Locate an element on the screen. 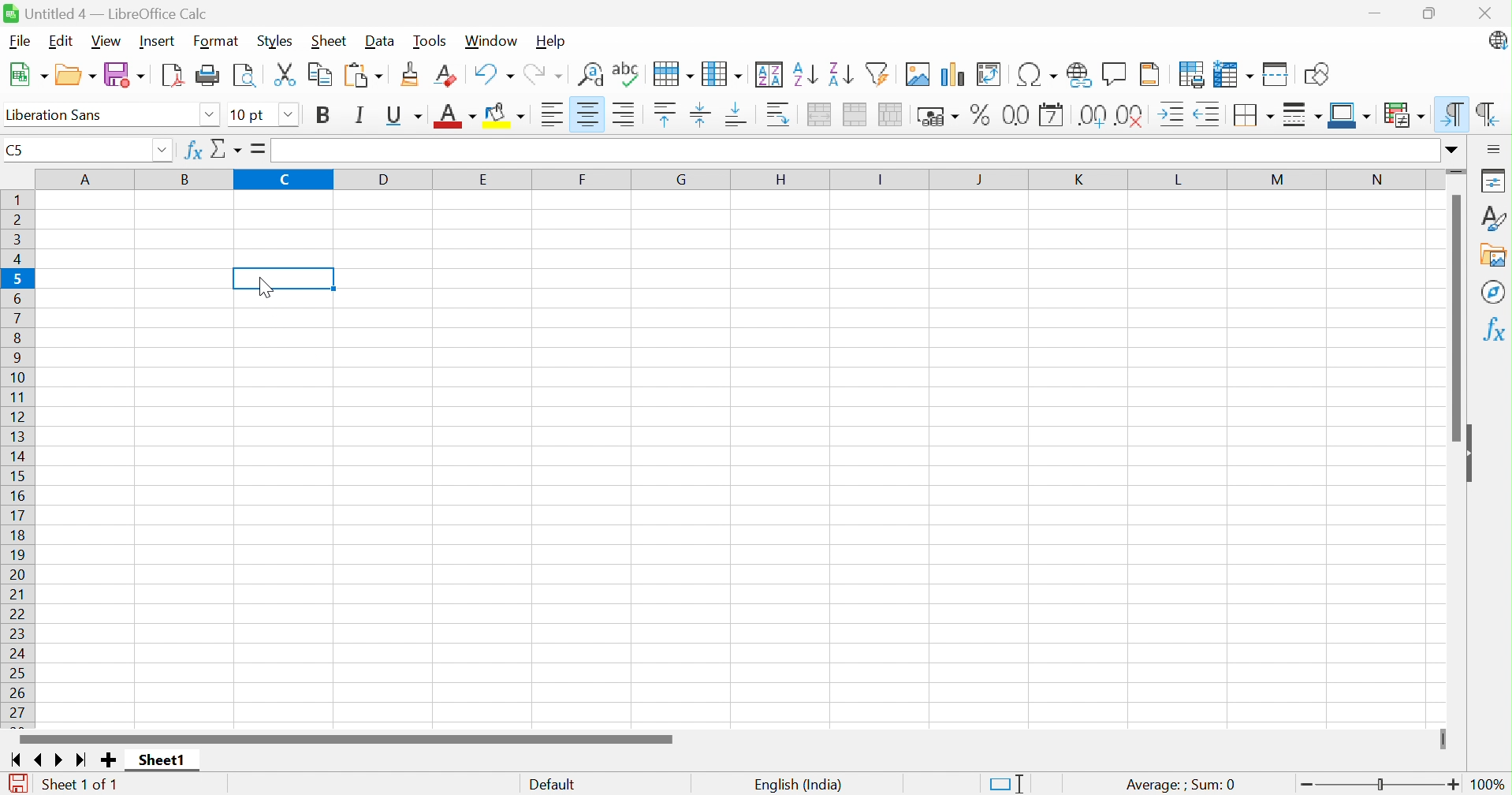  Border Color is located at coordinates (1349, 114).